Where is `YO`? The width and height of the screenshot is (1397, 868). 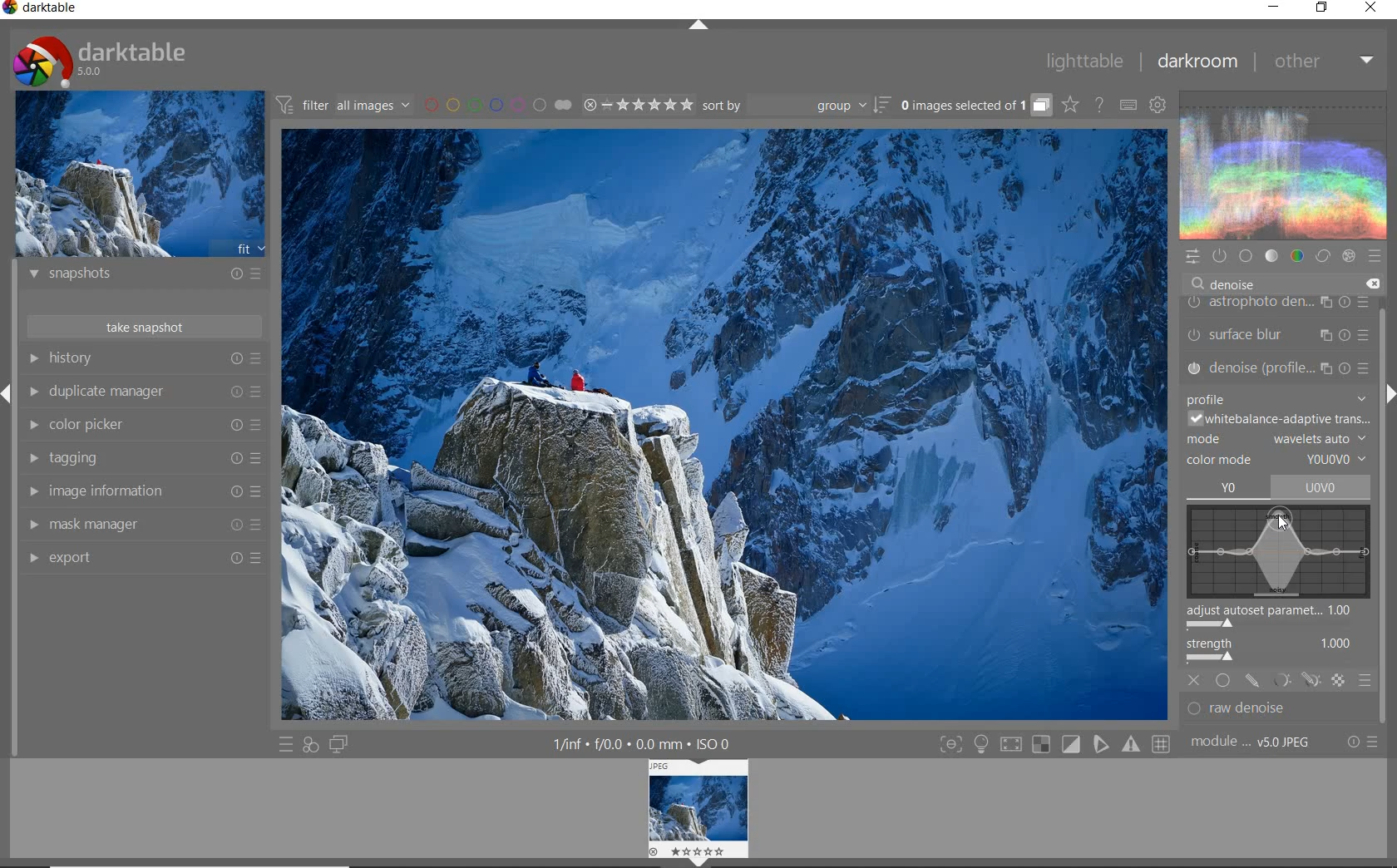
YO is located at coordinates (1229, 489).